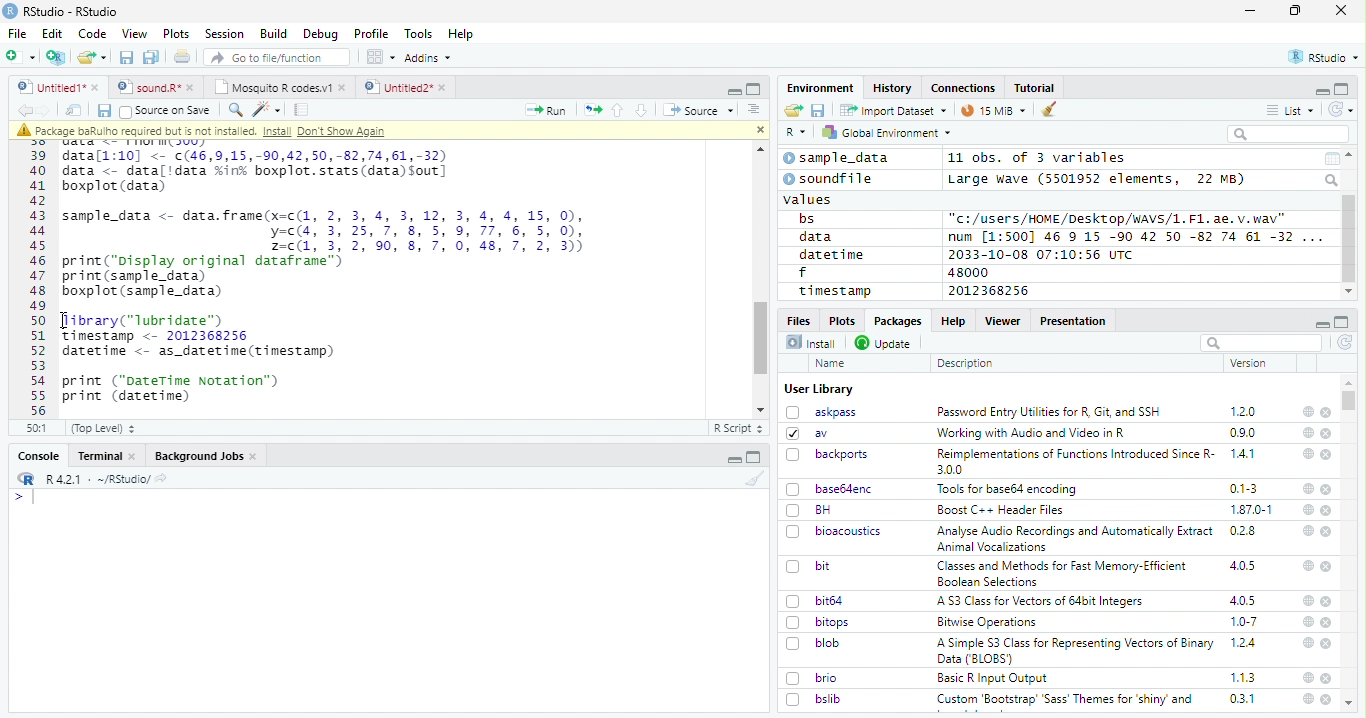 The height and width of the screenshot is (718, 1366). Describe the element at coordinates (1326, 489) in the screenshot. I see `close` at that location.